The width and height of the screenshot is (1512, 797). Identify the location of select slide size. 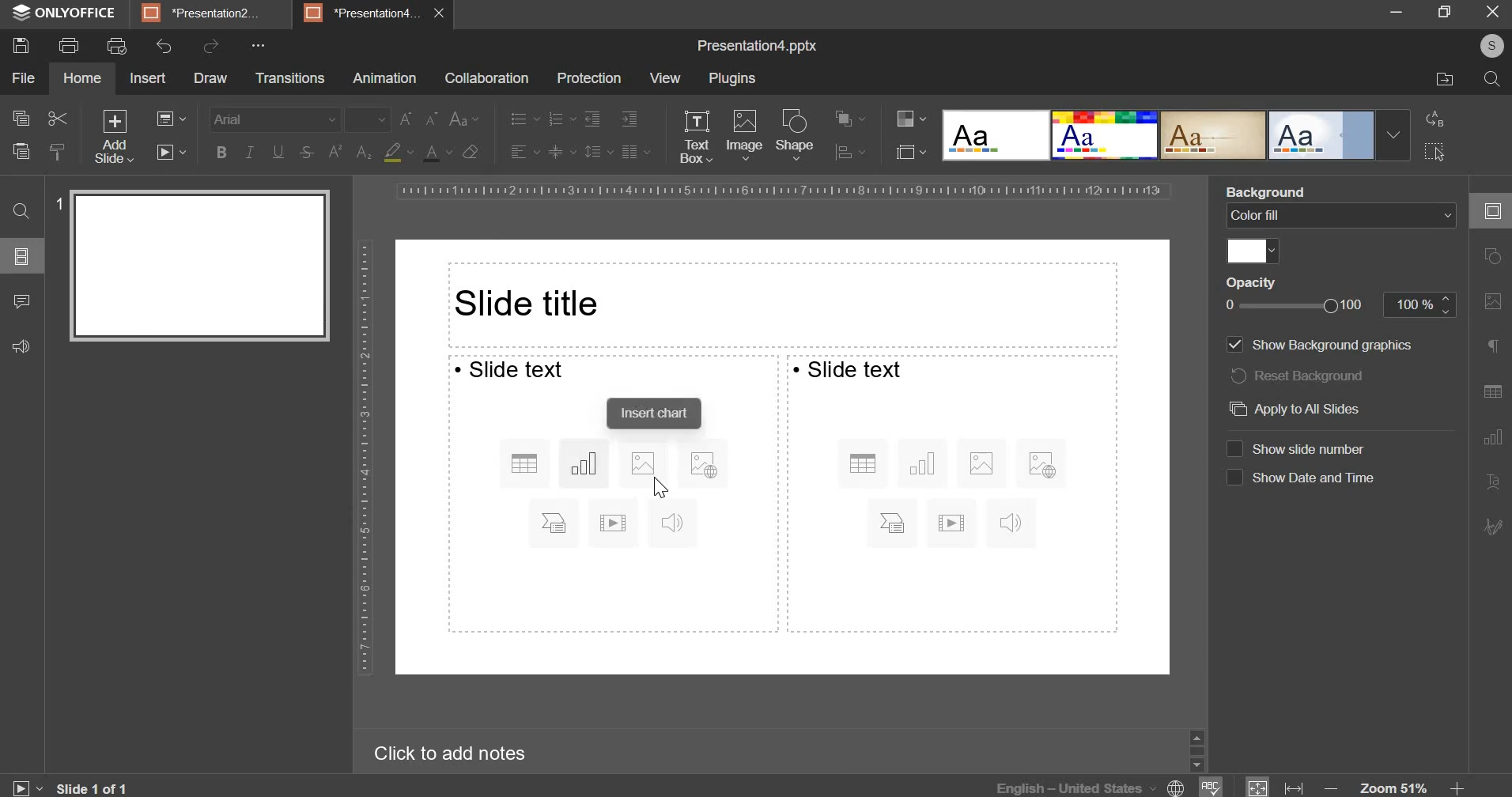
(907, 151).